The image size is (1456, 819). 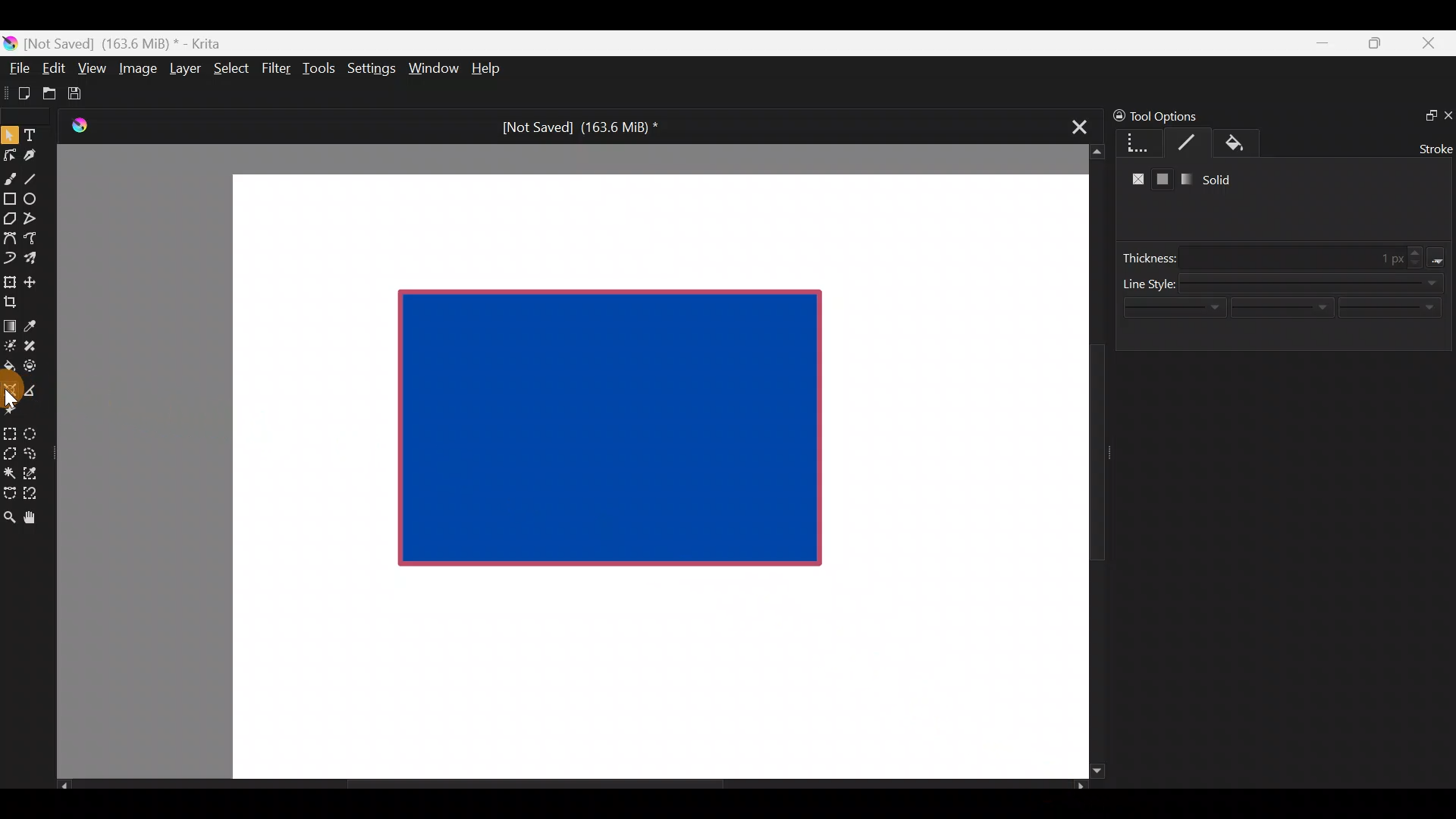 What do you see at coordinates (10, 173) in the screenshot?
I see `Freehand brush tool` at bounding box center [10, 173].